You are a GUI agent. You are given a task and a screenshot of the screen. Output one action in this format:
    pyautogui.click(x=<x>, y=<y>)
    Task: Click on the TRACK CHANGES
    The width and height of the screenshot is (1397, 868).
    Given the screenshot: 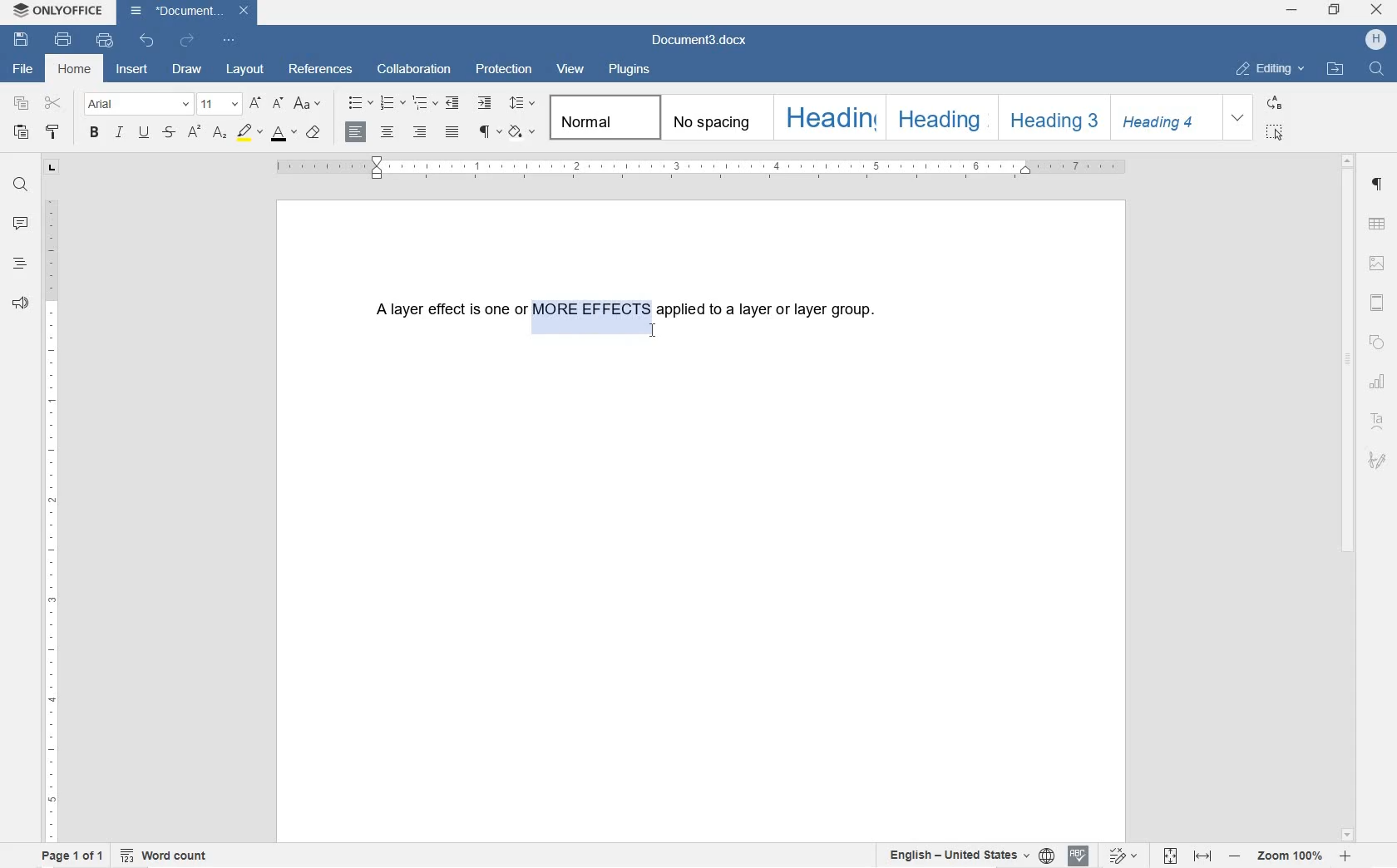 What is the action you would take?
    pyautogui.click(x=1123, y=855)
    